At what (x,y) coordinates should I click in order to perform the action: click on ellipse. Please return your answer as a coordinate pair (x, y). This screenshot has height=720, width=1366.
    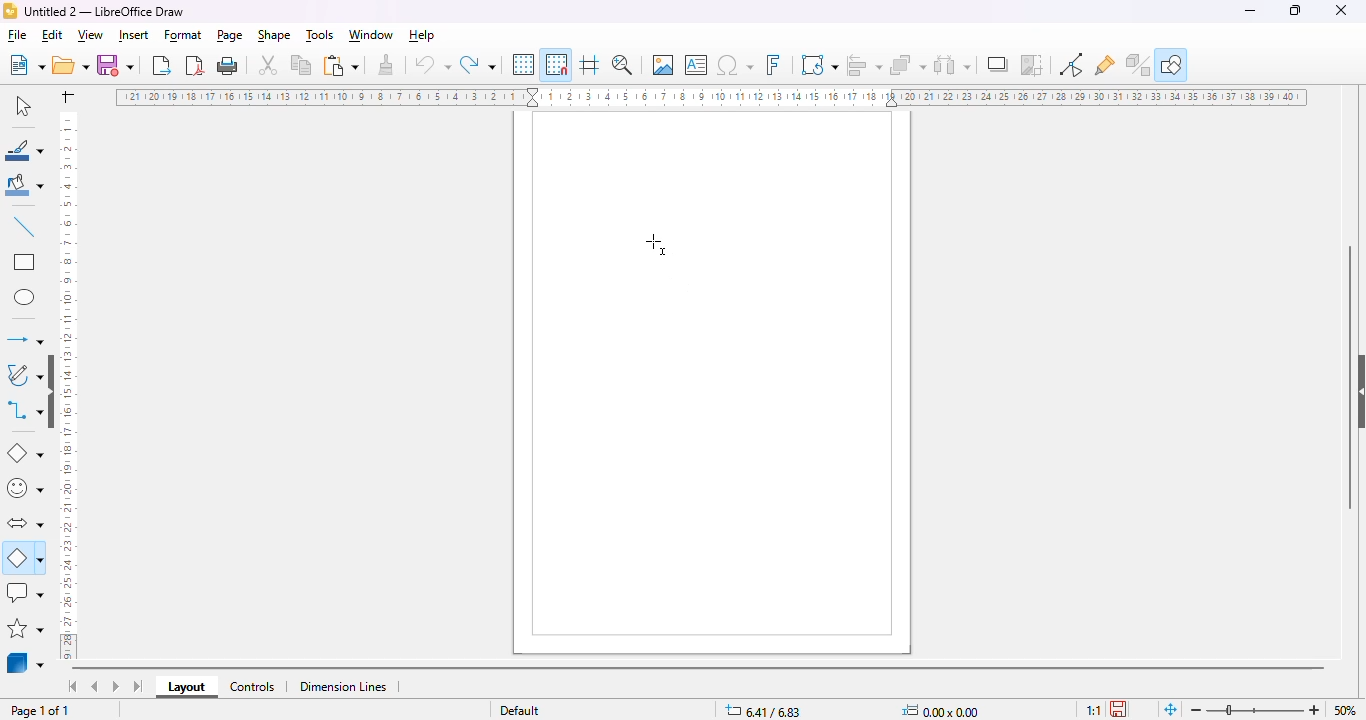
    Looking at the image, I should click on (25, 297).